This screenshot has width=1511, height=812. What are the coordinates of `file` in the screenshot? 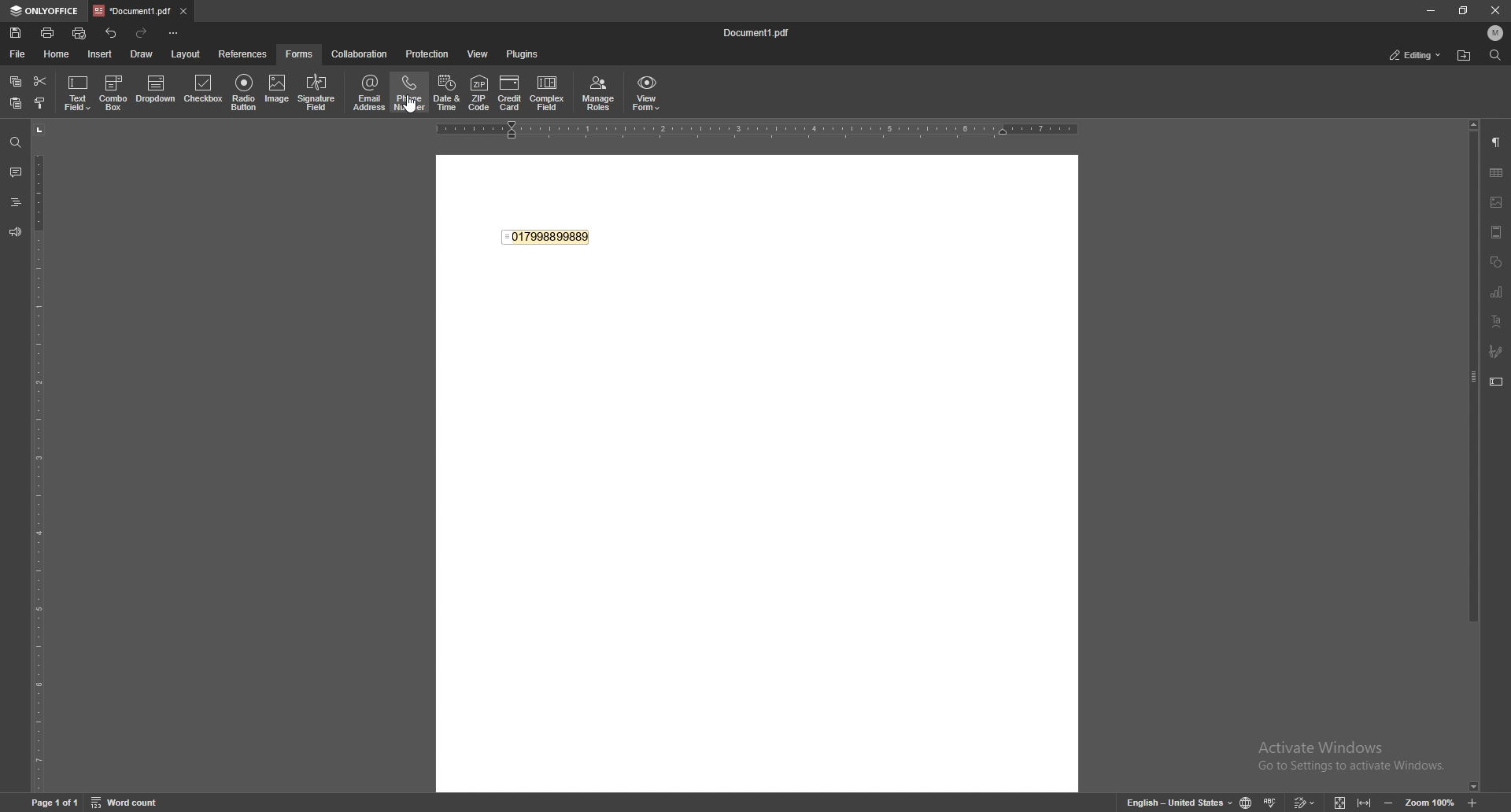 It's located at (17, 55).